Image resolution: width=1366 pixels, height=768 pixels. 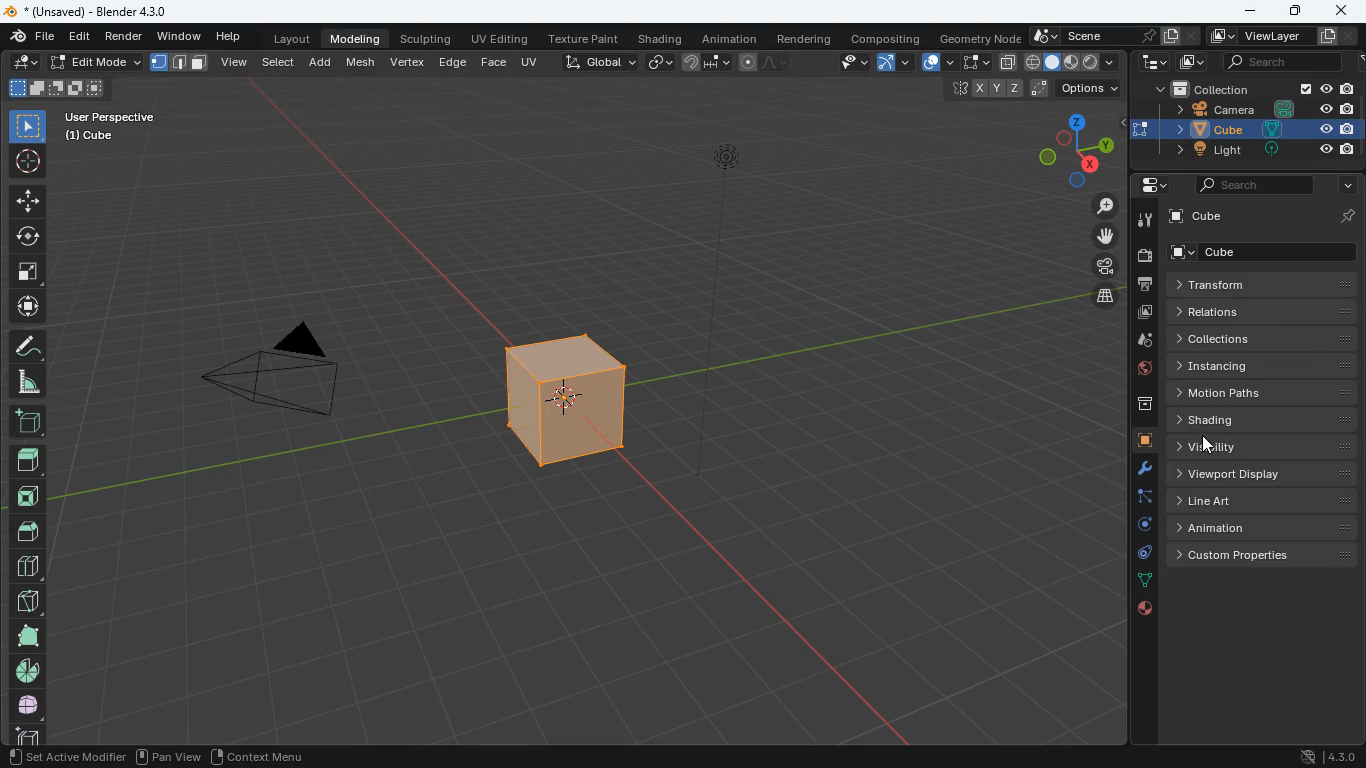 What do you see at coordinates (407, 65) in the screenshot?
I see `vertex` at bounding box center [407, 65].